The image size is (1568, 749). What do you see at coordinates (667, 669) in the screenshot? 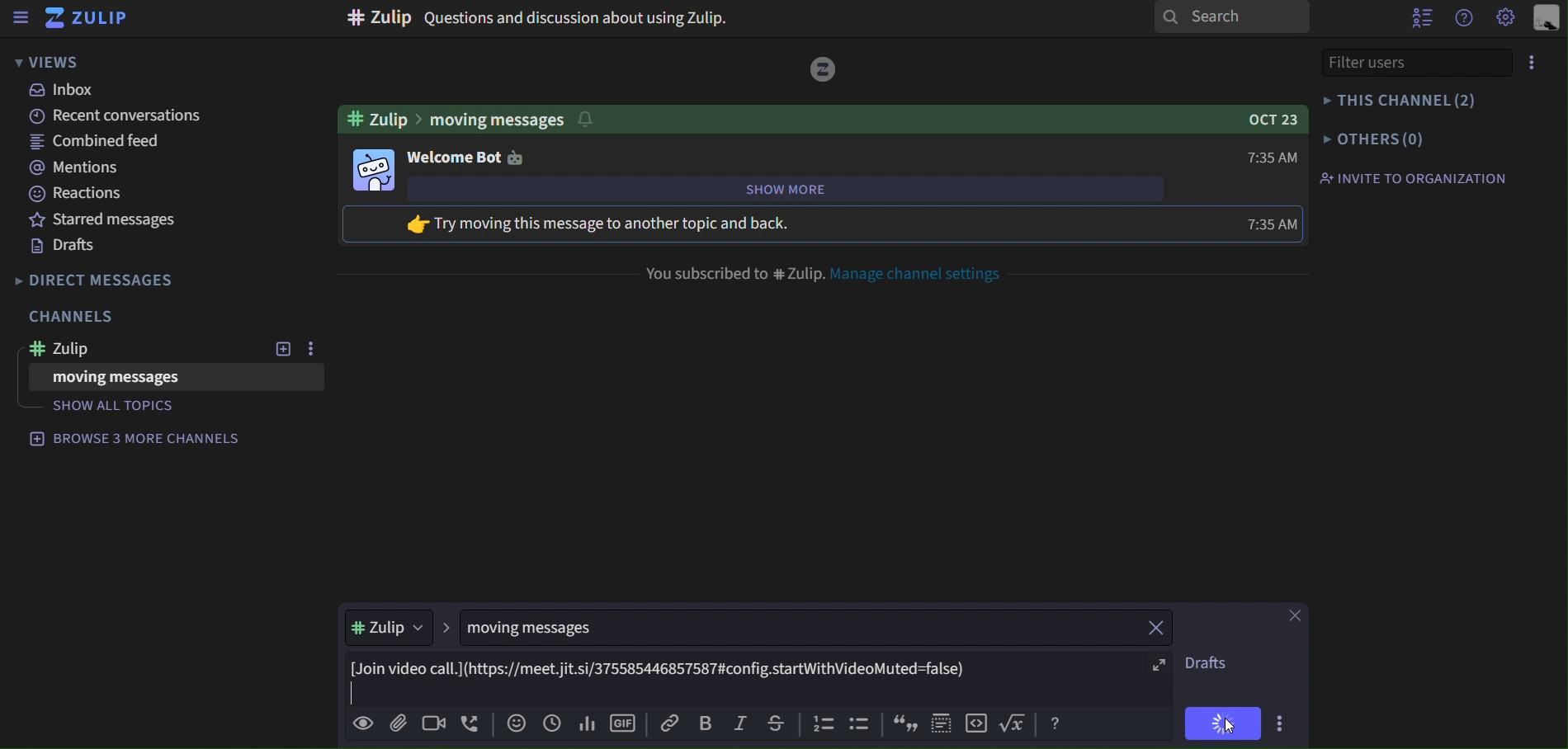
I see `[Join video call.](https://meet.jit.si/375585446857587#config.startWithVideoMuted=false)` at bounding box center [667, 669].